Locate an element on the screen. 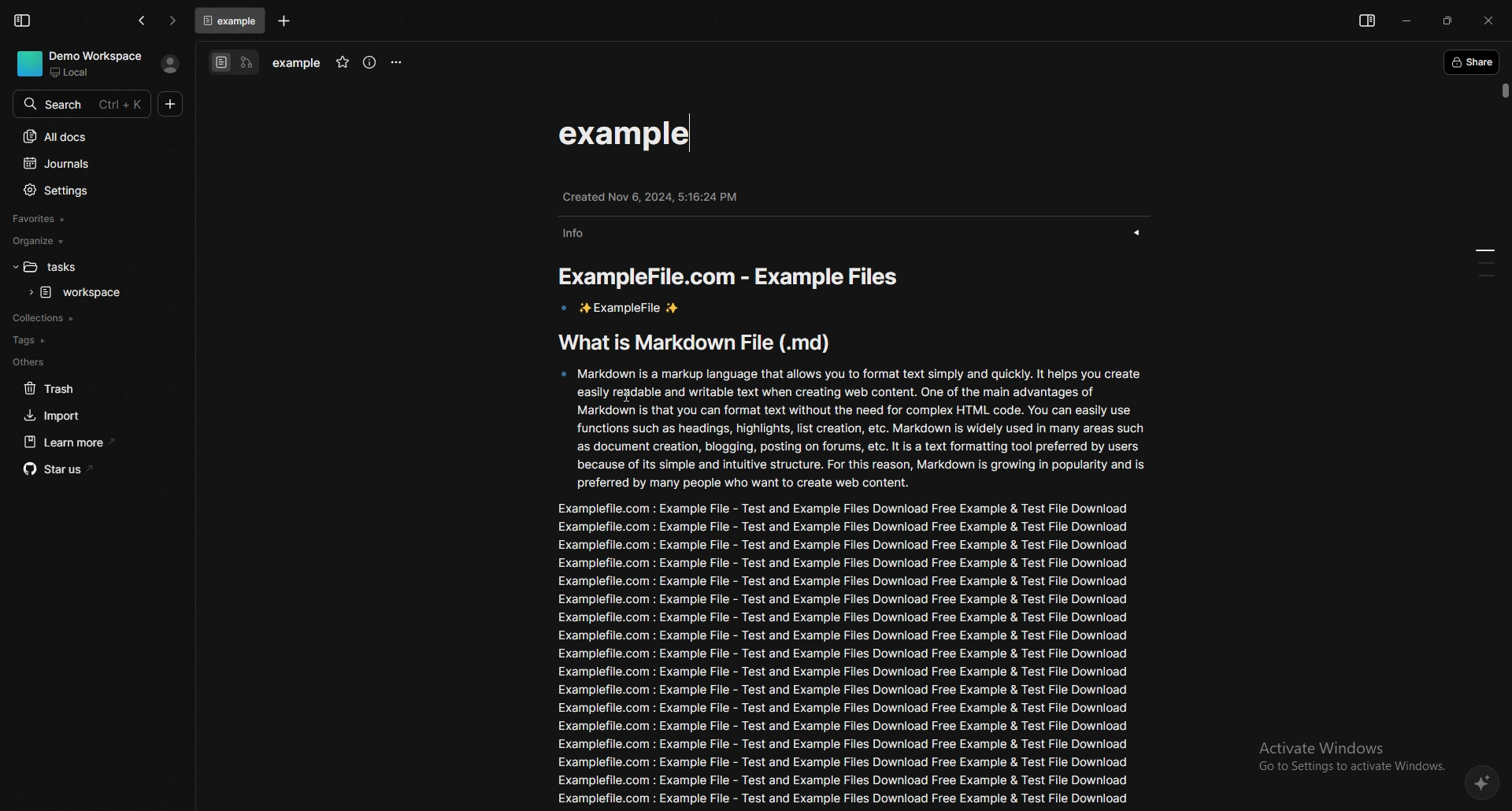  go forward is located at coordinates (173, 21).